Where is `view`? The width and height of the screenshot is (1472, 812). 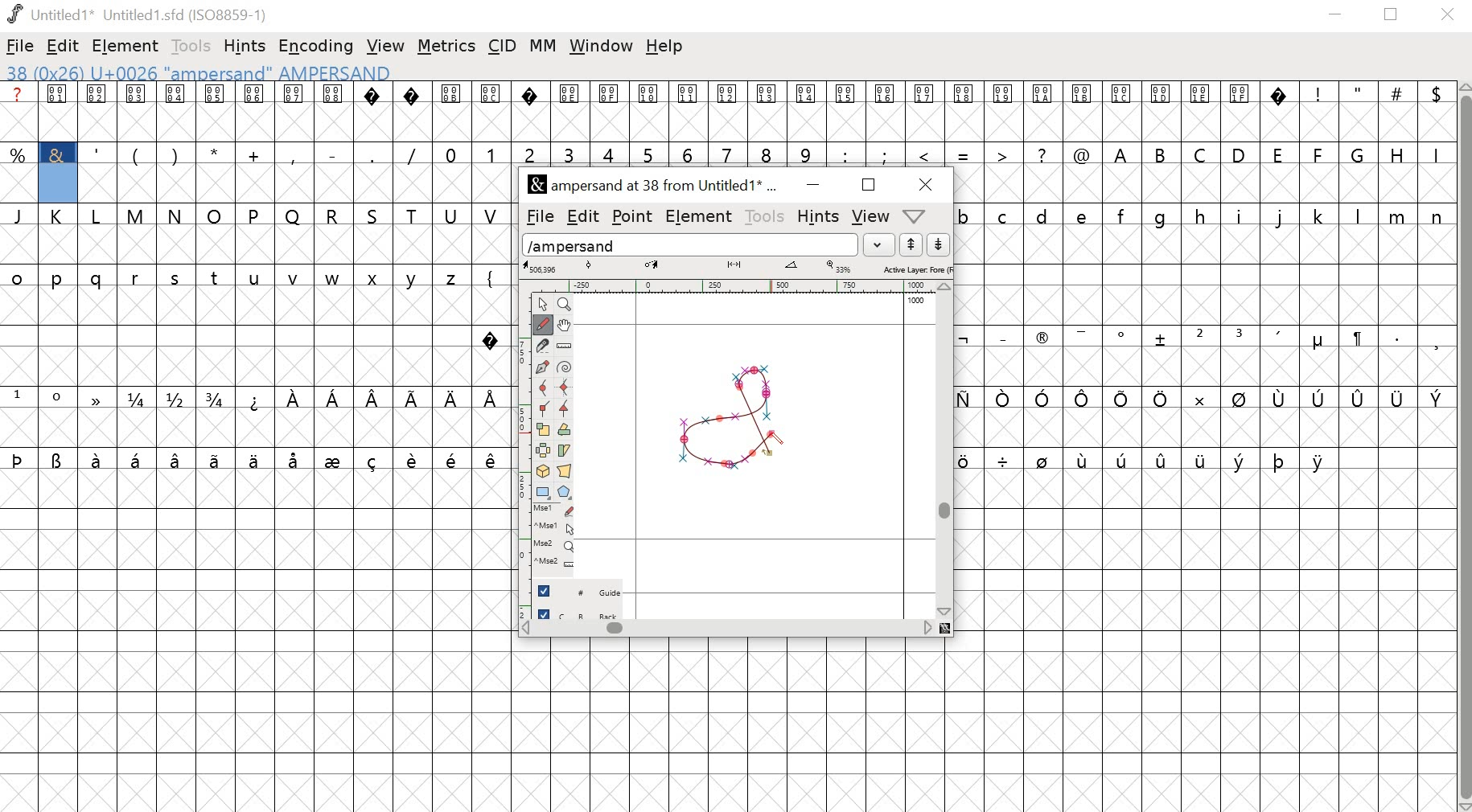
view is located at coordinates (872, 215).